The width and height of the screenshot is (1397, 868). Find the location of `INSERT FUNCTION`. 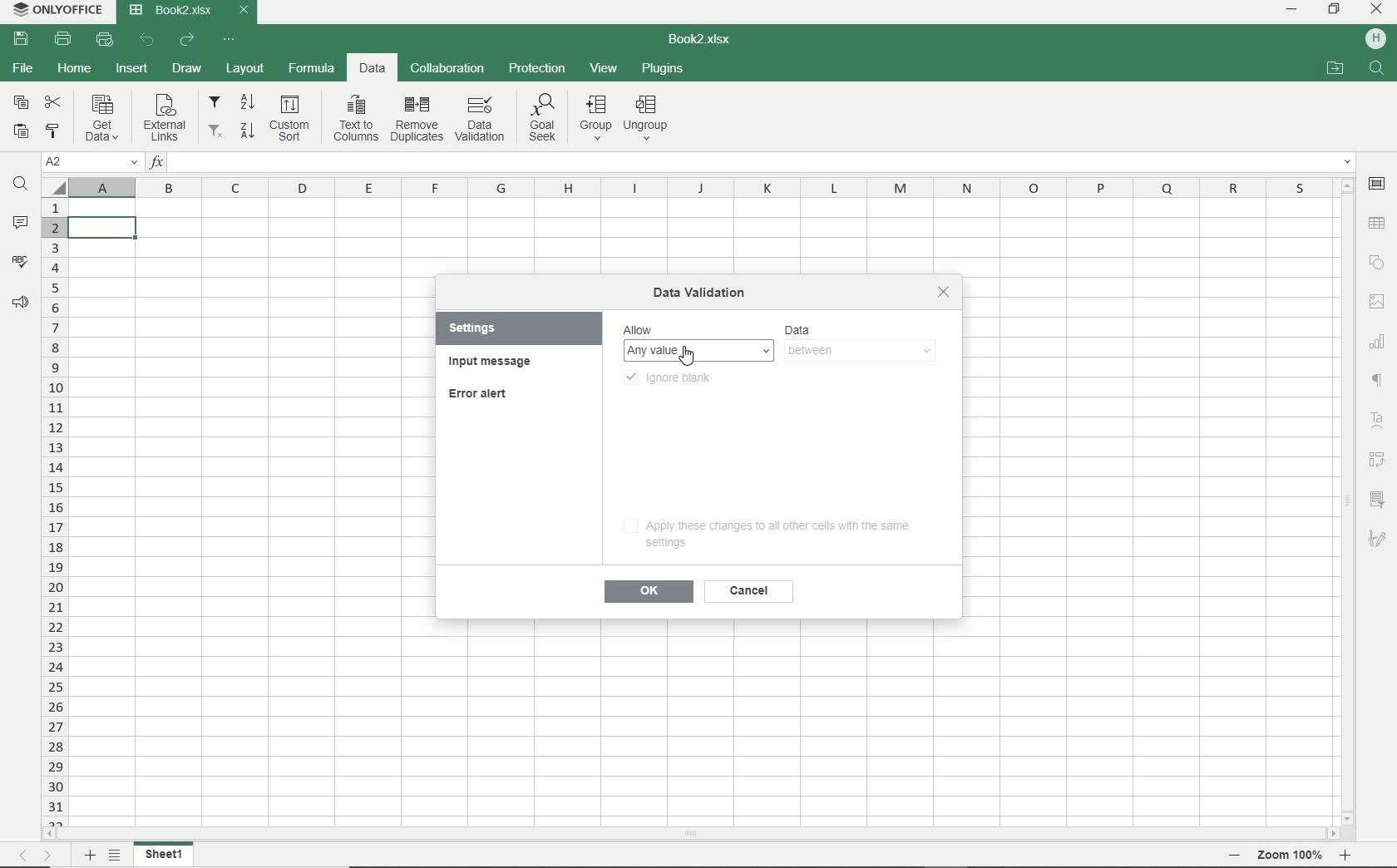

INSERT FUNCTION is located at coordinates (751, 160).